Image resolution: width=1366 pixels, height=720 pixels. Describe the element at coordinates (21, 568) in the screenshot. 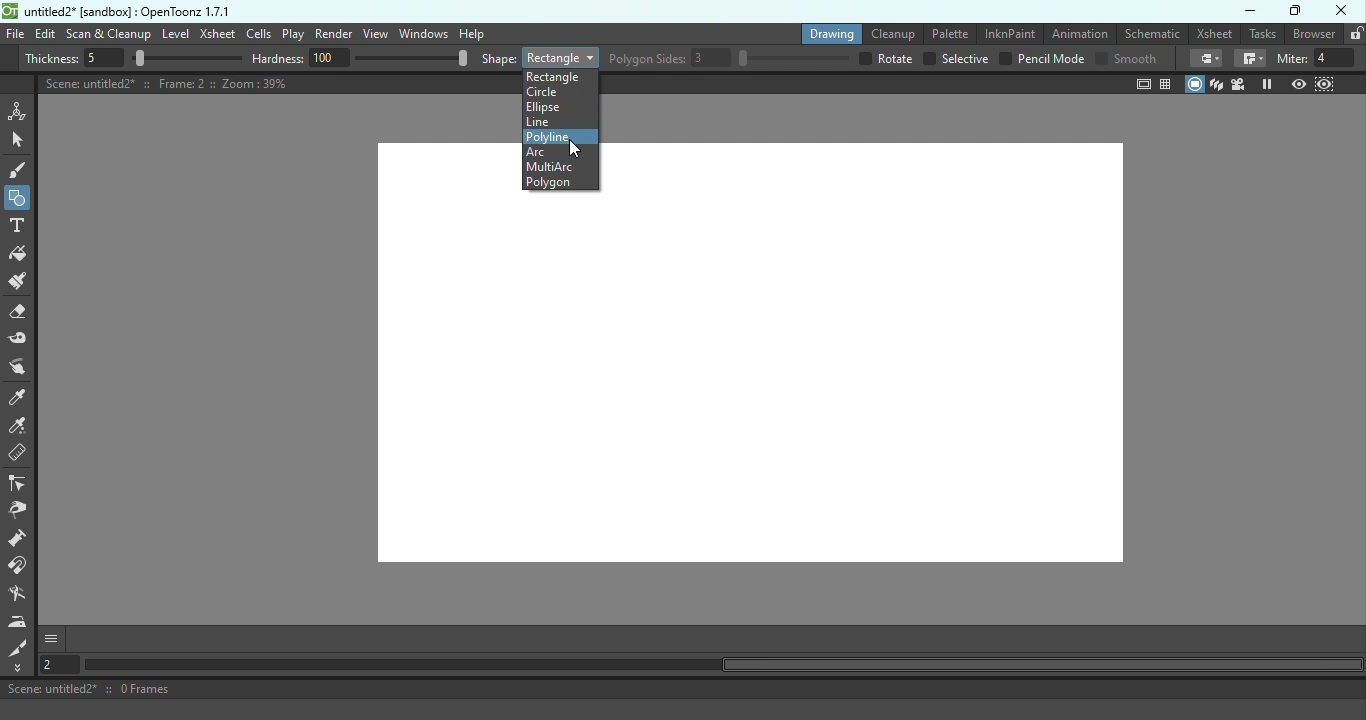

I see `Magnet tool` at that location.